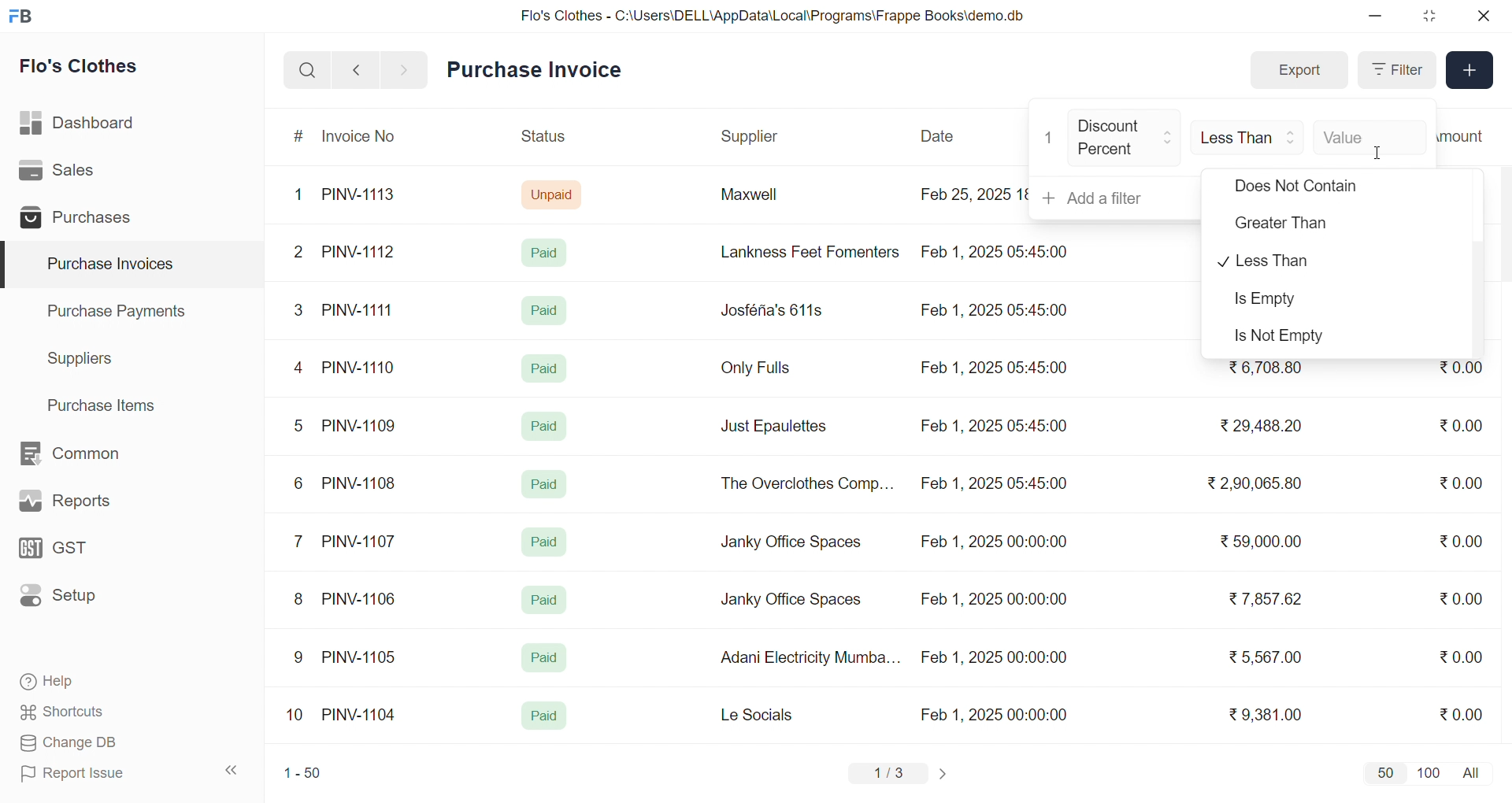 This screenshot has width=1512, height=803. What do you see at coordinates (108, 265) in the screenshot?
I see `Purchase Invoices` at bounding box center [108, 265].